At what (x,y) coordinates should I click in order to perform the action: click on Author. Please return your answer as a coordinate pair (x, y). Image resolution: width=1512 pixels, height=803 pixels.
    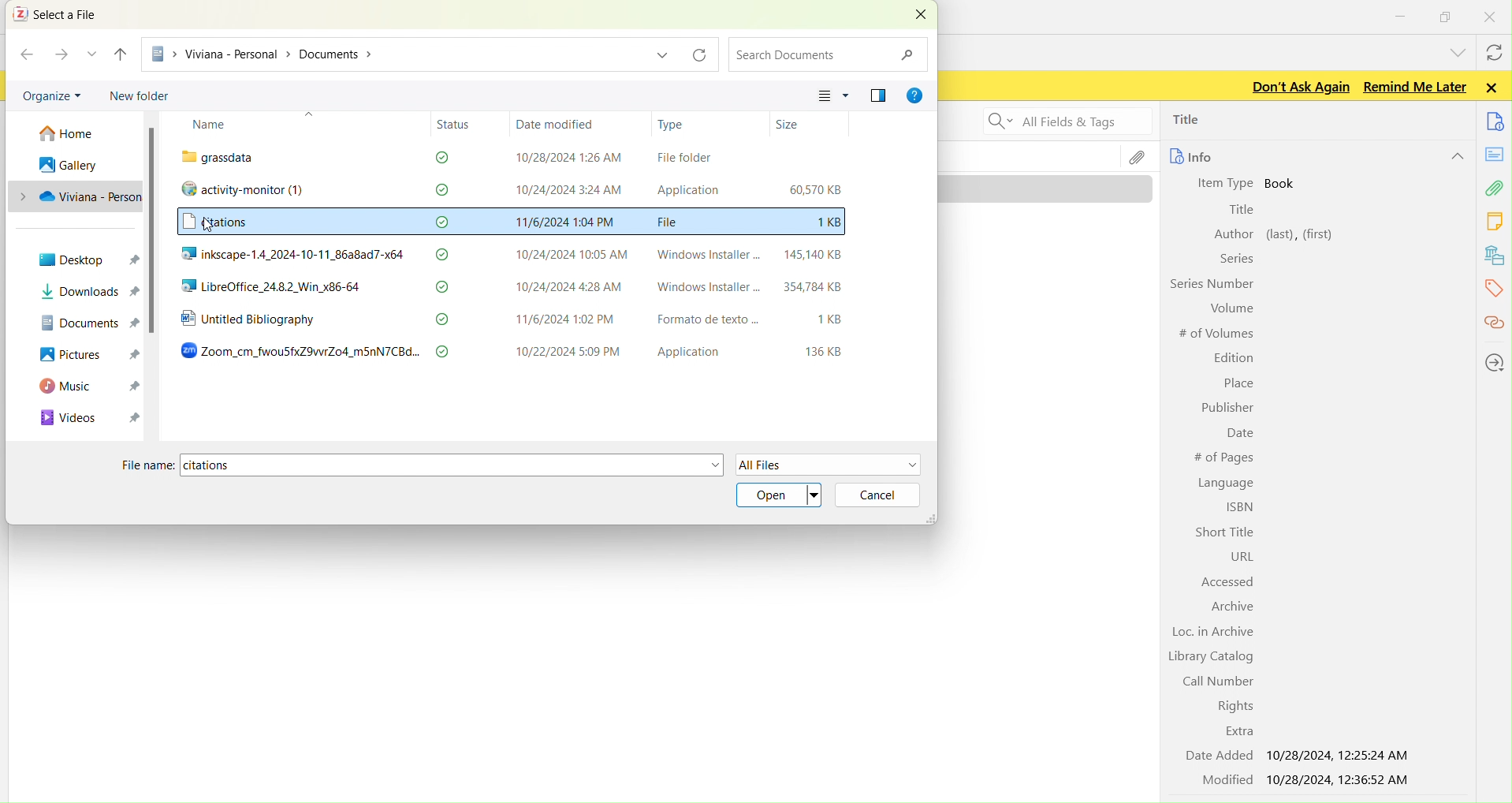
    Looking at the image, I should click on (1233, 235).